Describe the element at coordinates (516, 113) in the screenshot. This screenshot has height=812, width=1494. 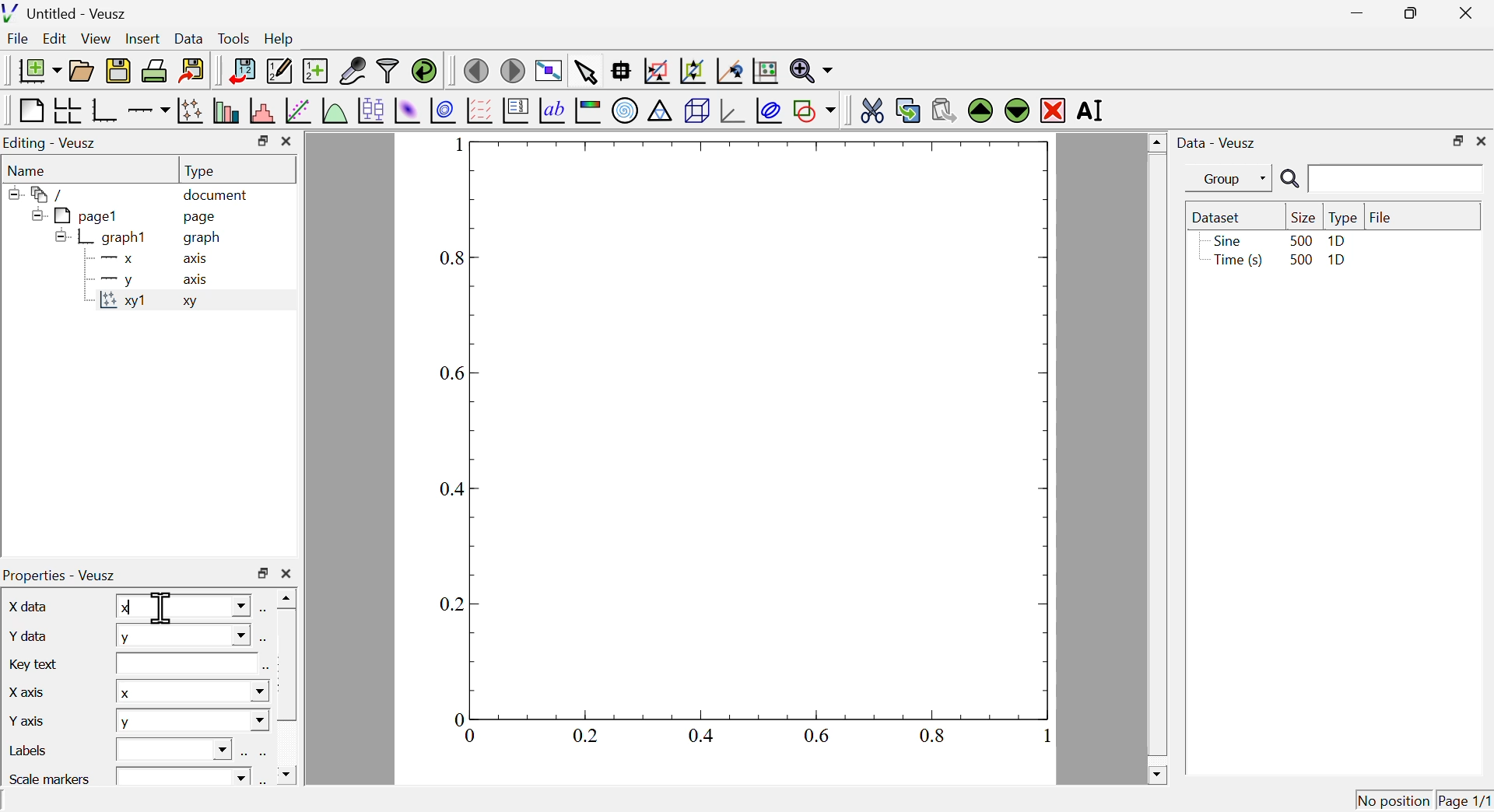
I see `plot key` at that location.